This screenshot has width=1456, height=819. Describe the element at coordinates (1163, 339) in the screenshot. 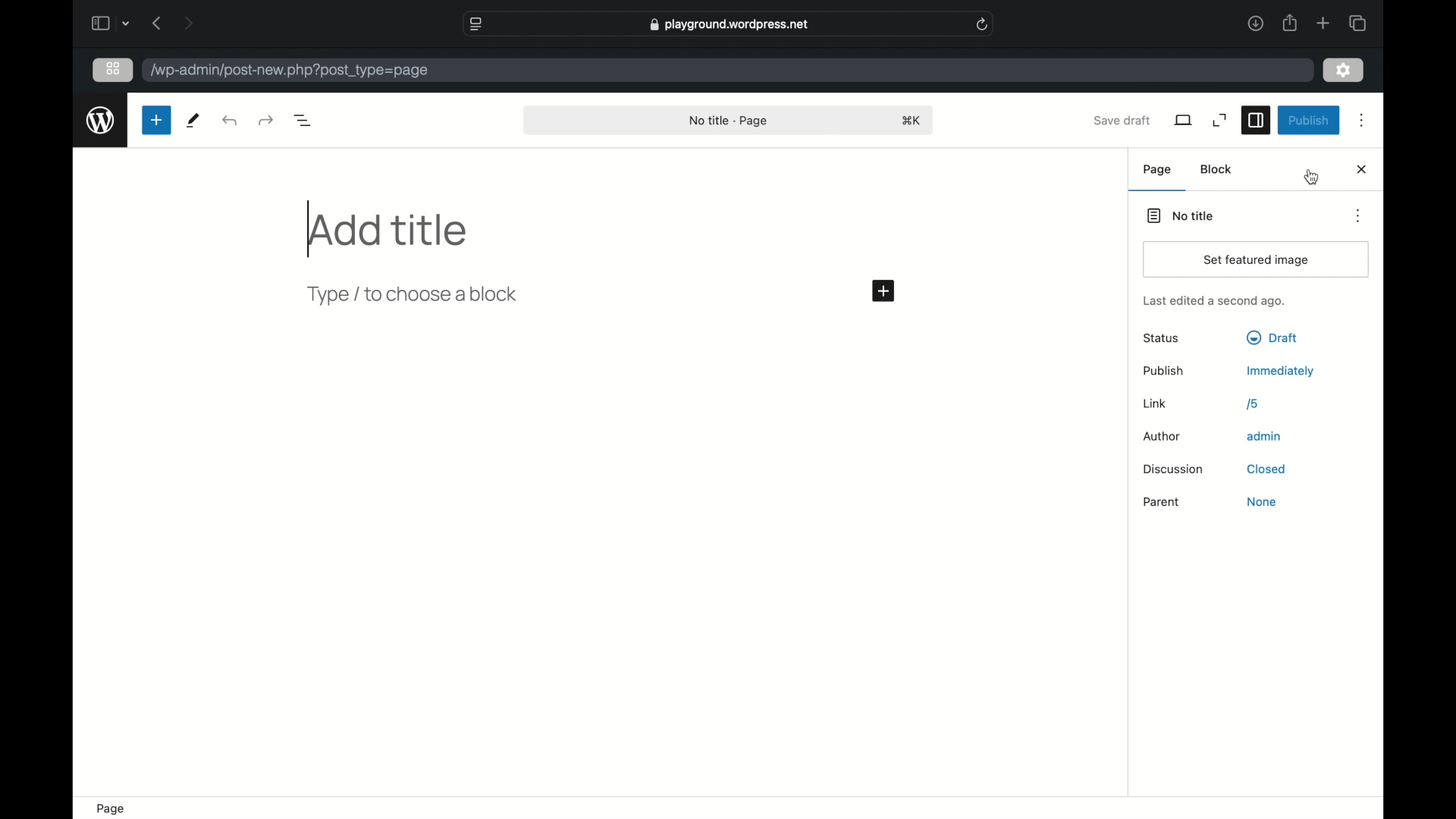

I see `status` at that location.